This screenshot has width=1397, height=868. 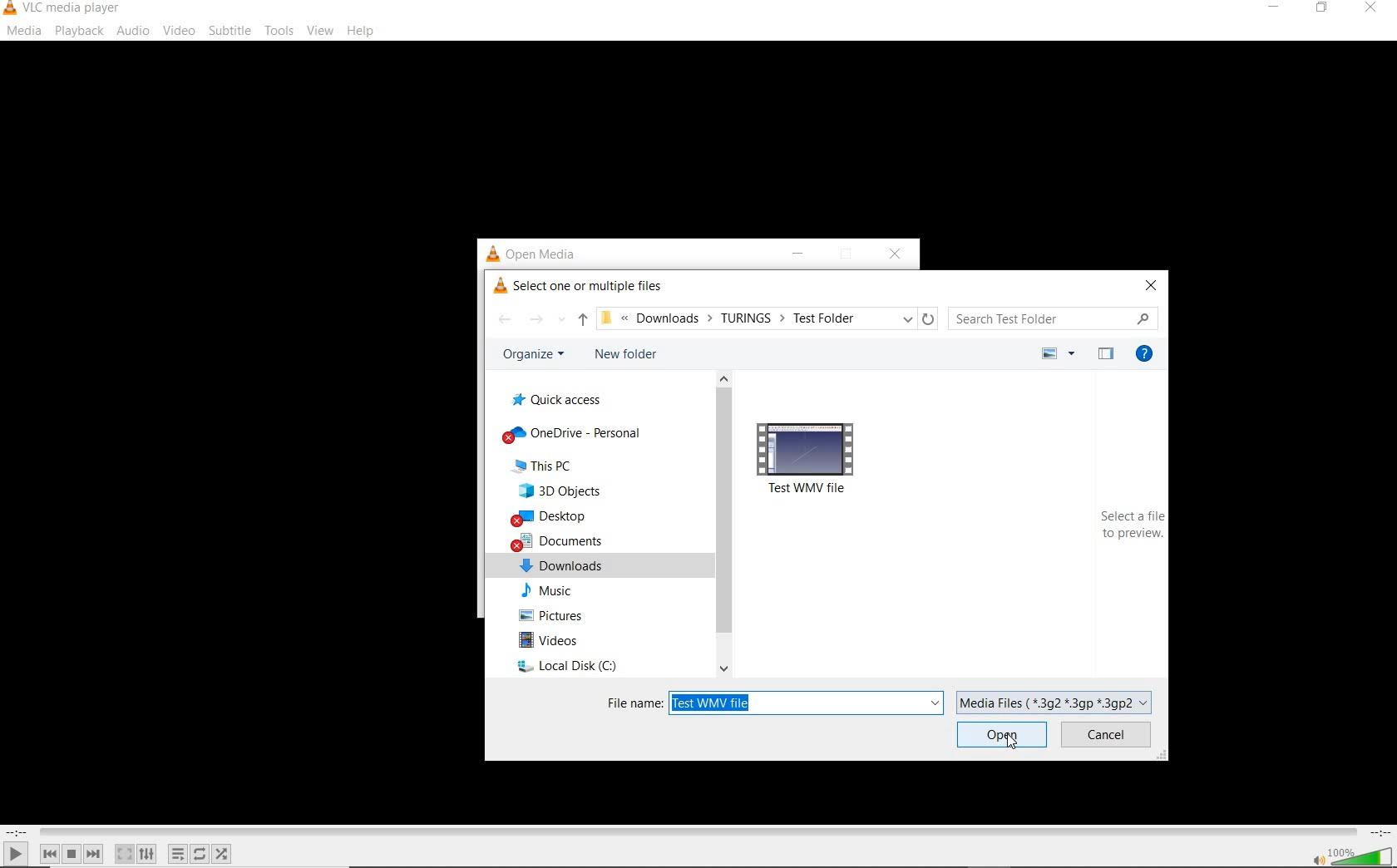 I want to click on open, so click(x=1002, y=734).